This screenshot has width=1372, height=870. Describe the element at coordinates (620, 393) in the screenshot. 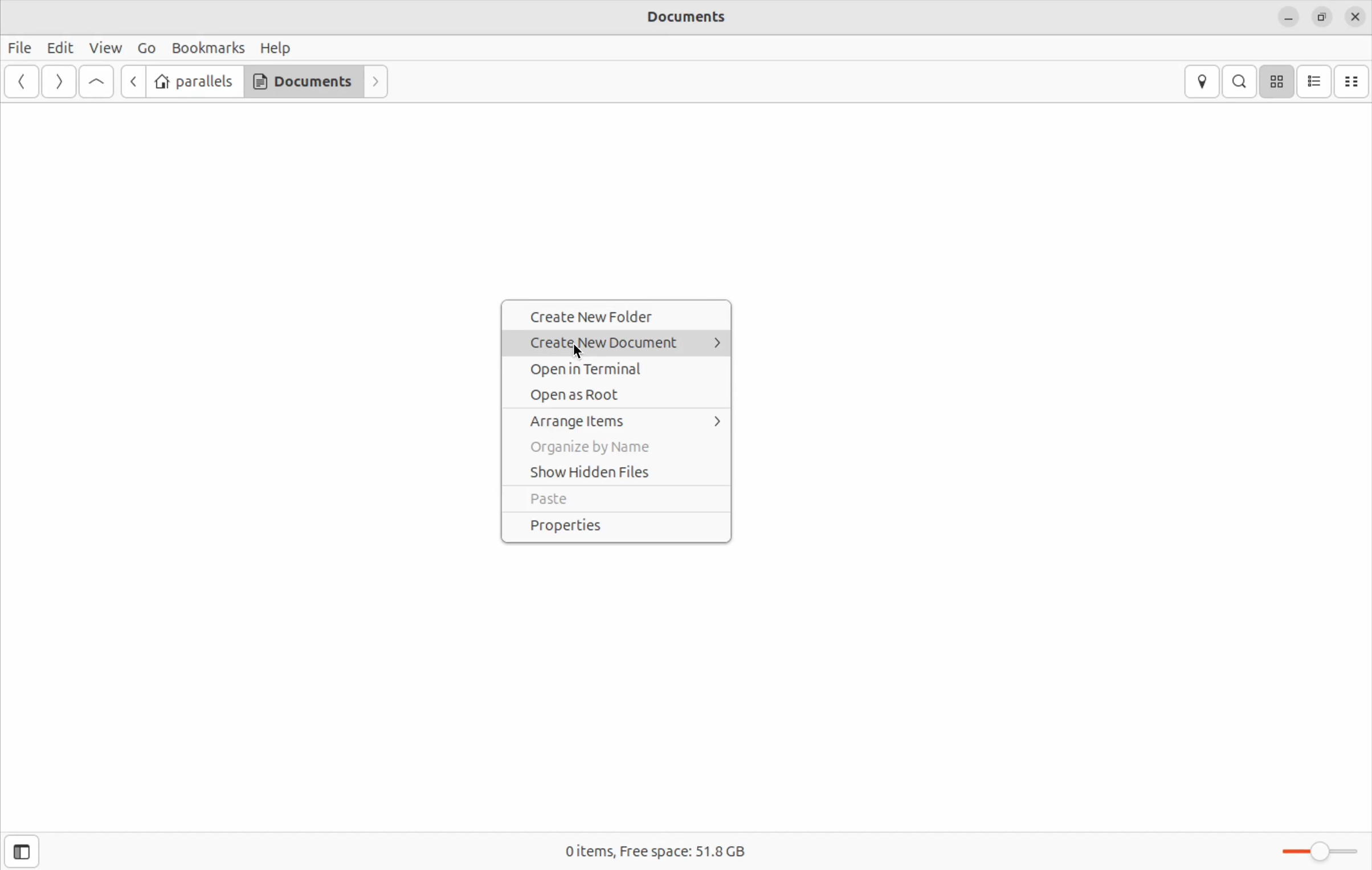

I see `Open as Root` at that location.